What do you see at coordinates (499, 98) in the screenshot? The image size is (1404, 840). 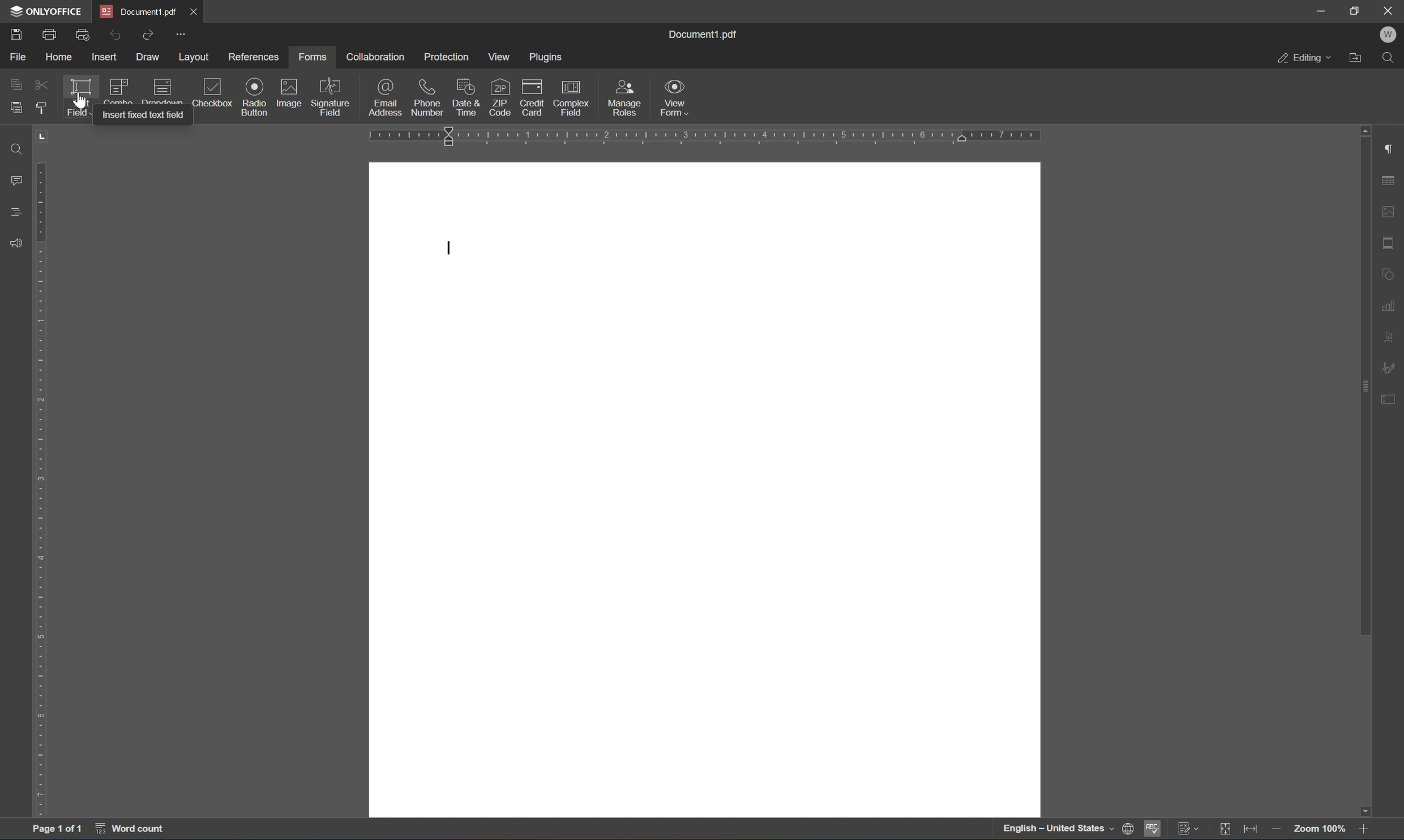 I see `zip code` at bounding box center [499, 98].